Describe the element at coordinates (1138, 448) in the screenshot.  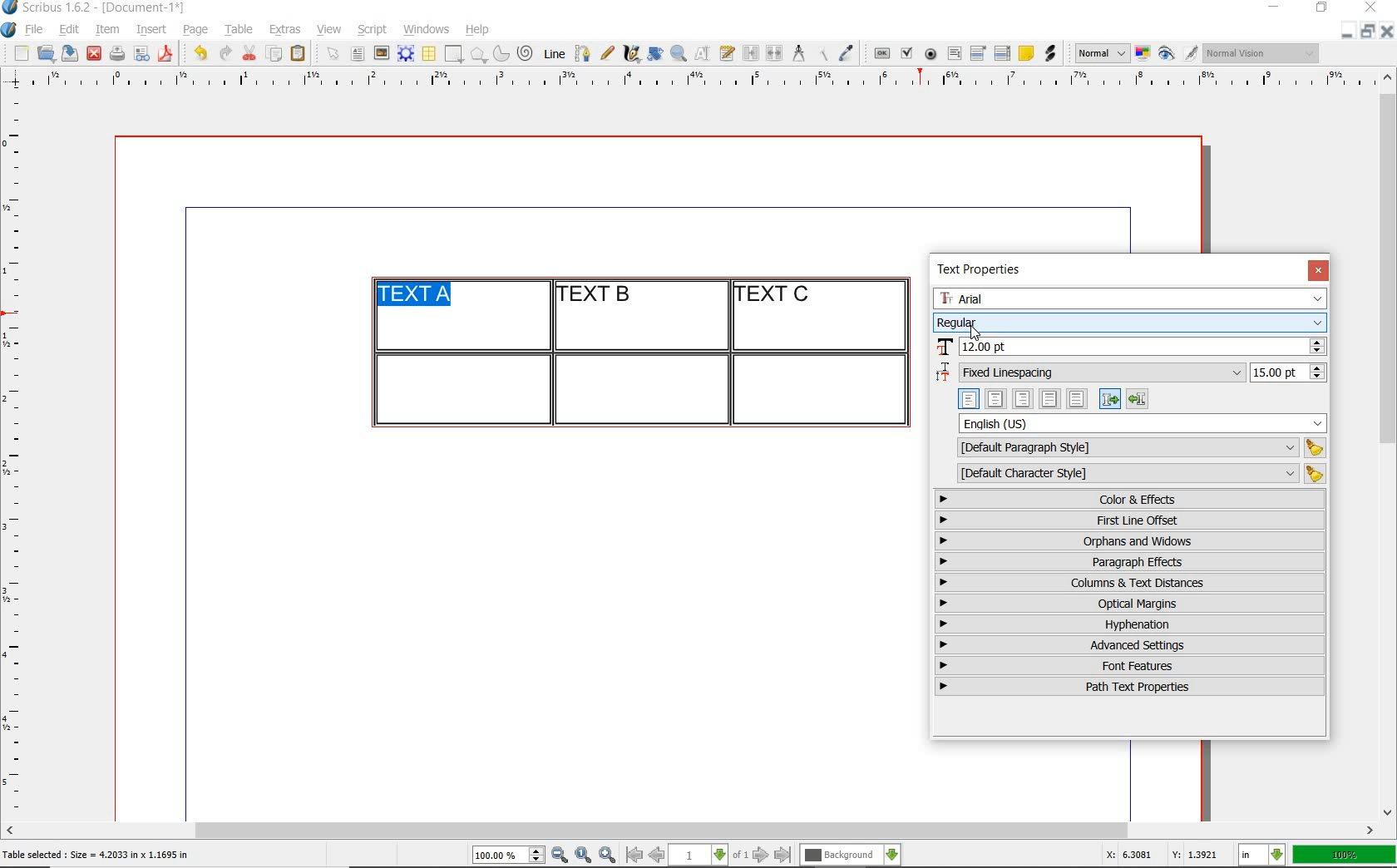
I see `default paragraph style` at that location.